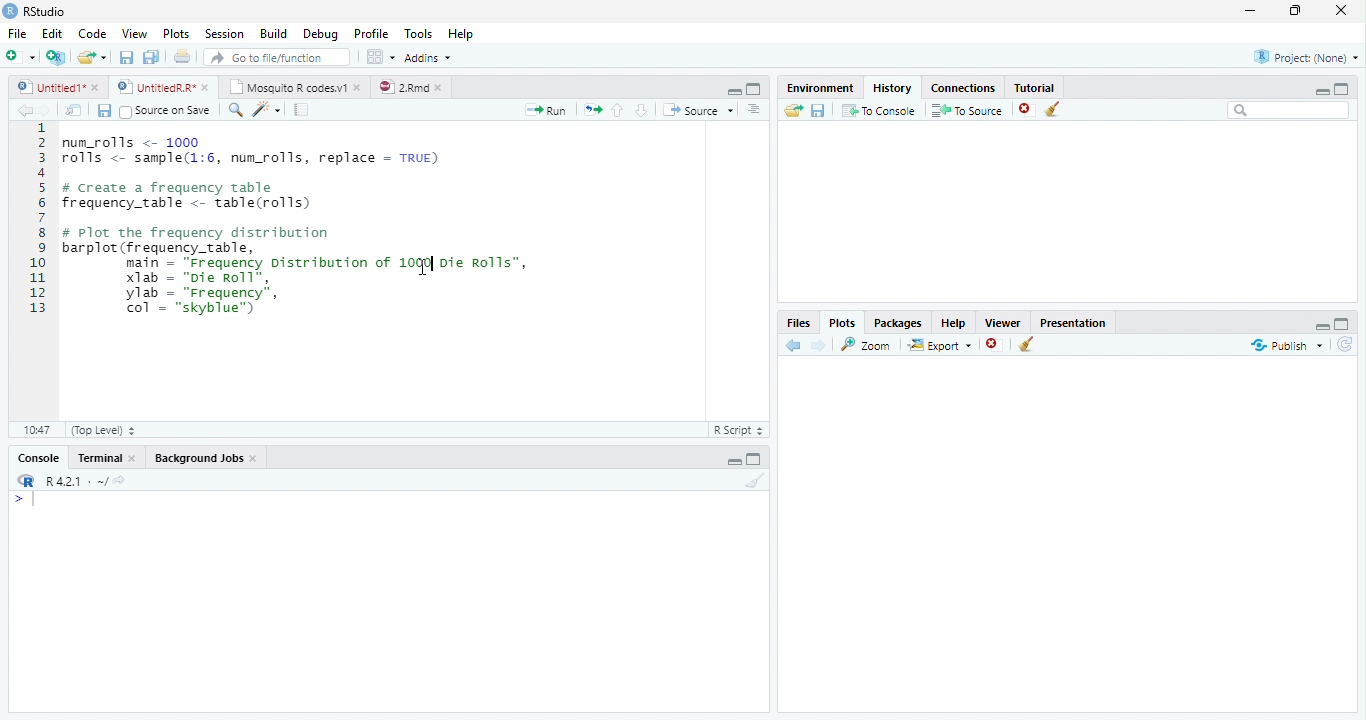 The width and height of the screenshot is (1366, 720). Describe the element at coordinates (821, 87) in the screenshot. I see `Environment` at that location.